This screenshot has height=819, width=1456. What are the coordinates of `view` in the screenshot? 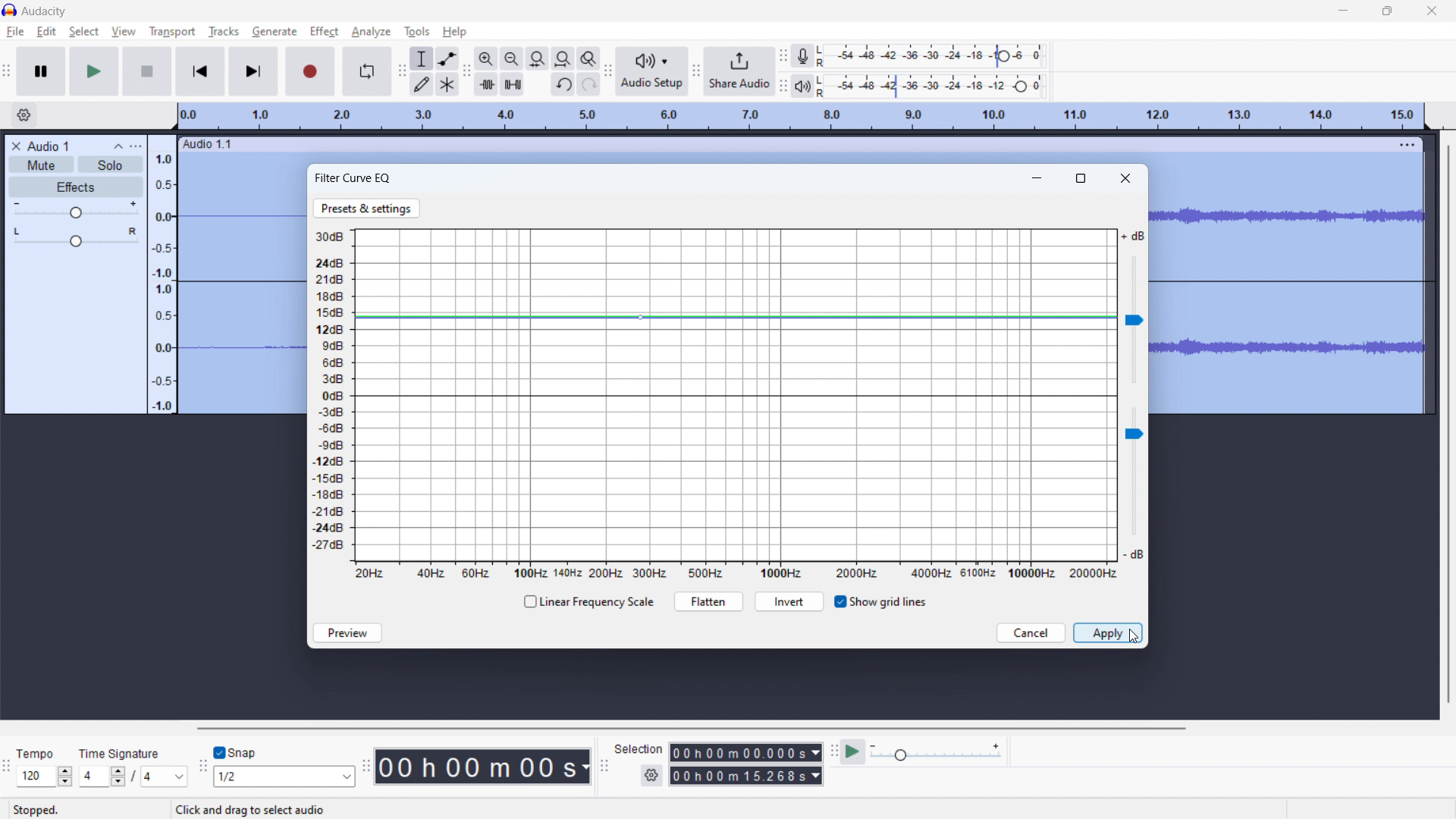 It's located at (124, 31).